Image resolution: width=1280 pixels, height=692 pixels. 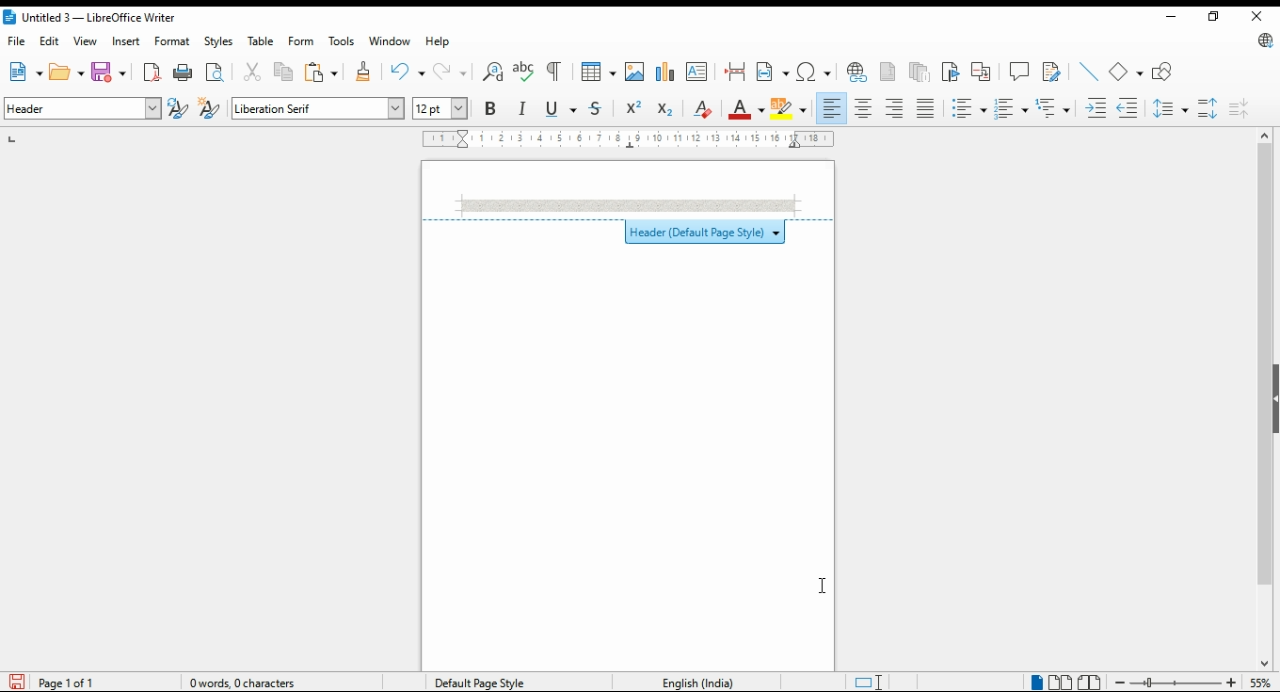 I want to click on icon and filename, so click(x=91, y=19).